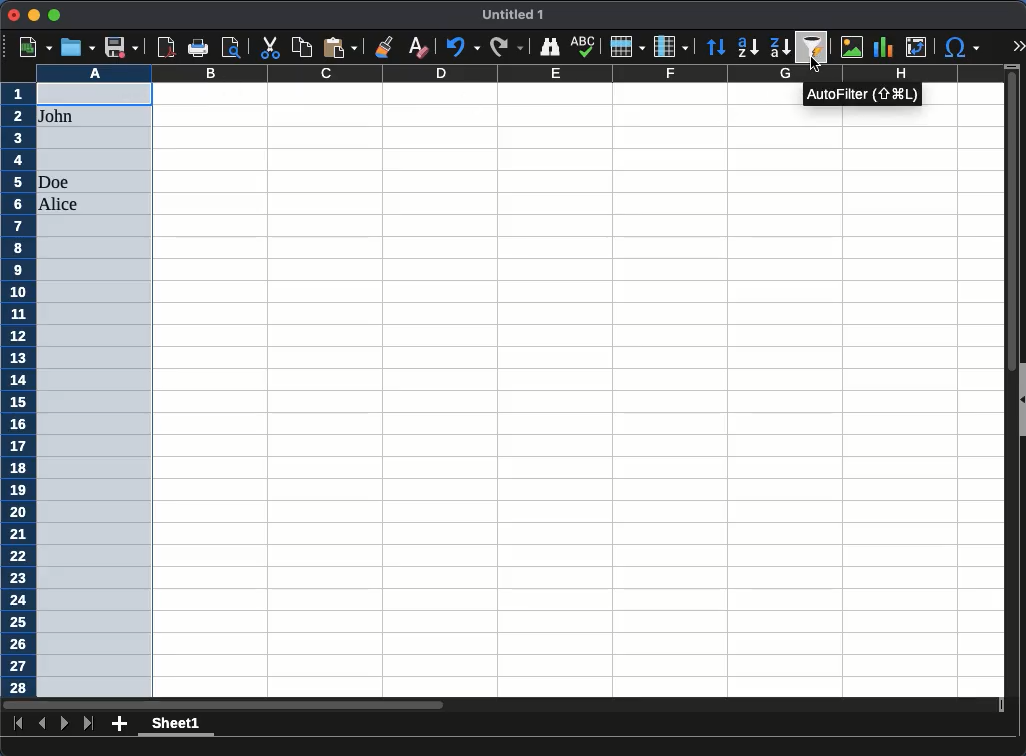 The height and width of the screenshot is (756, 1026). Describe the element at coordinates (231, 47) in the screenshot. I see `print preview` at that location.